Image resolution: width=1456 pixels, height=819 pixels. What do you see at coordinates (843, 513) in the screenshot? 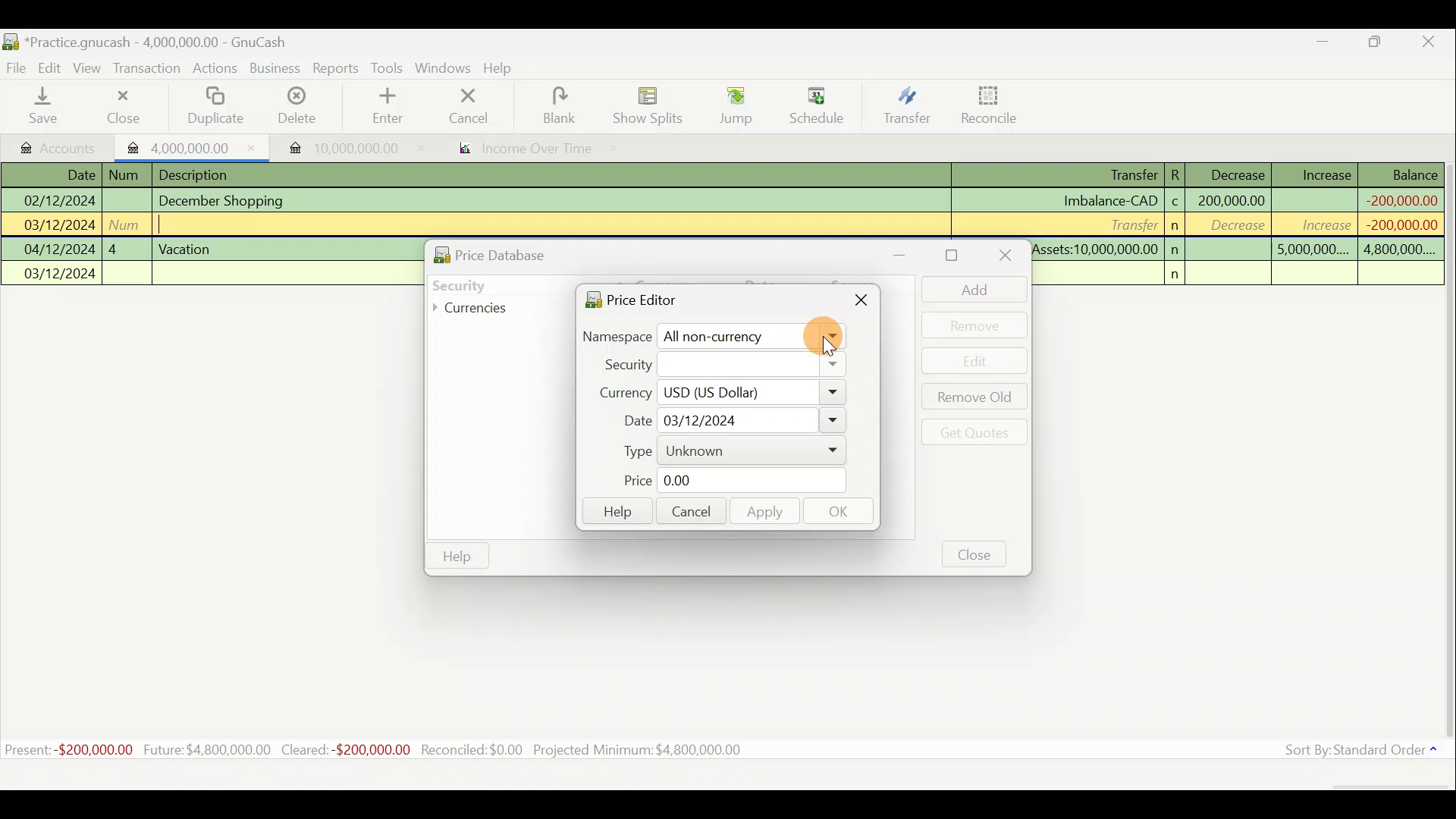
I see `OK` at bounding box center [843, 513].